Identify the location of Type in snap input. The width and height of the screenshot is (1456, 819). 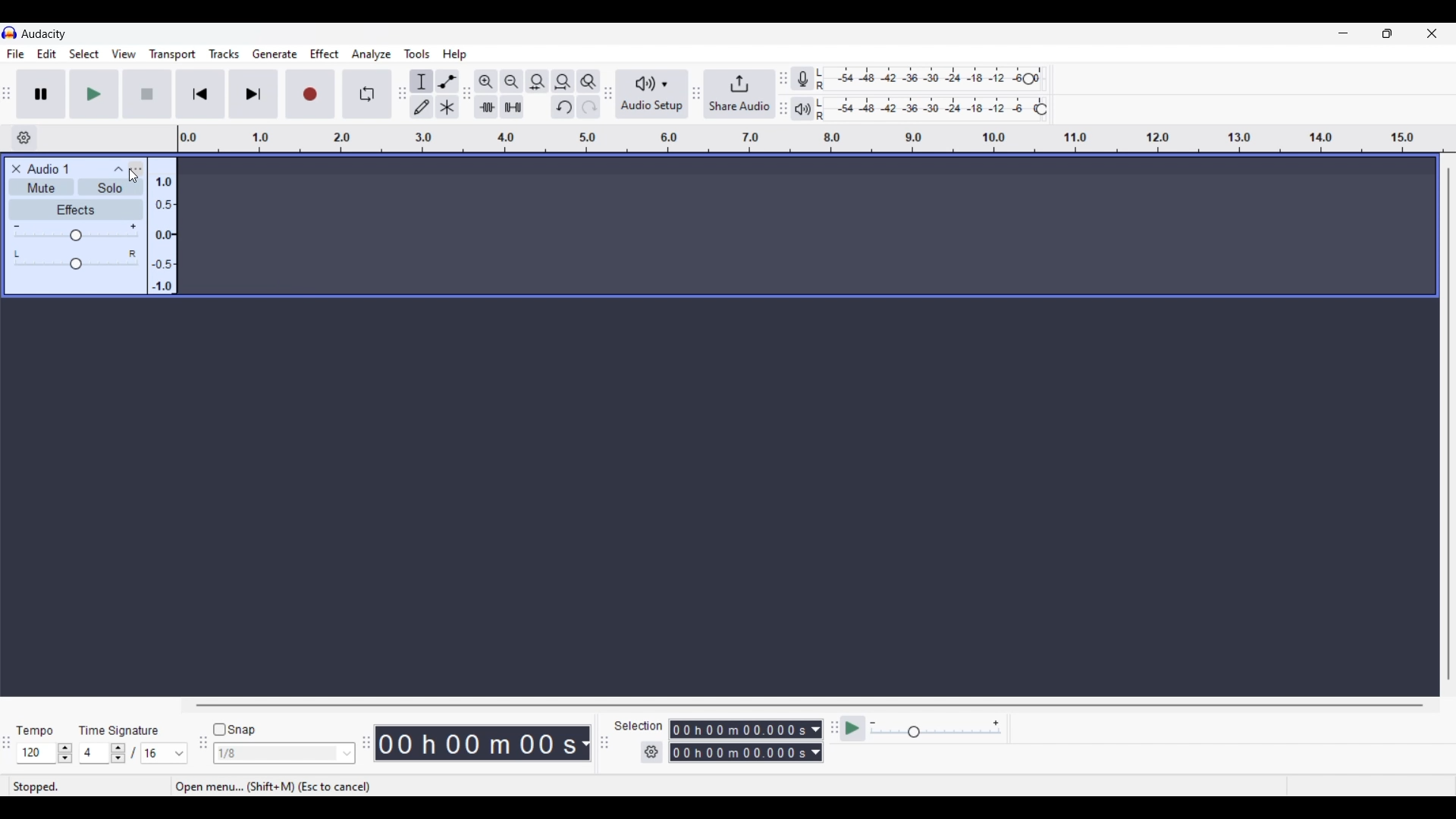
(277, 754).